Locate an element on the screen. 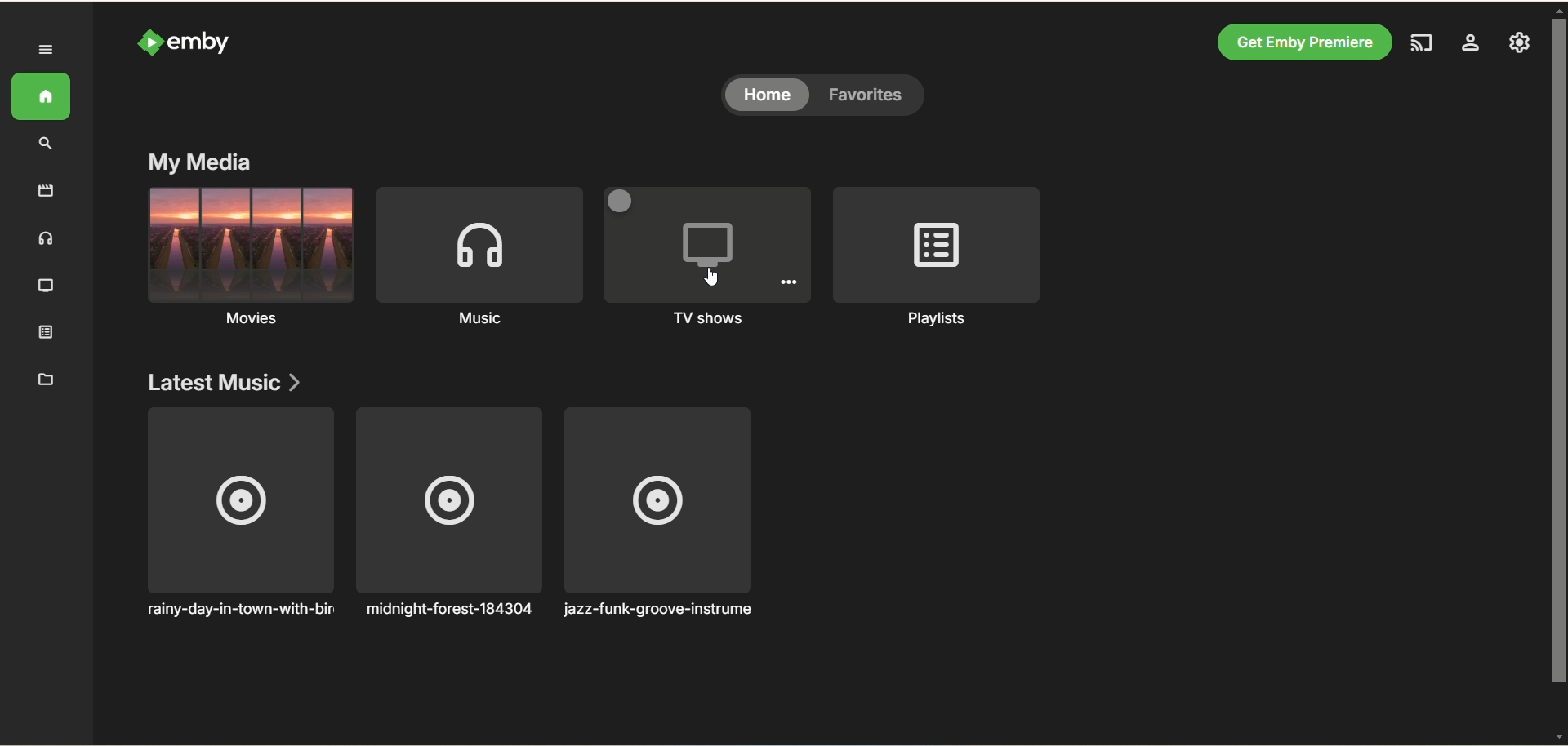  home is located at coordinates (768, 97).